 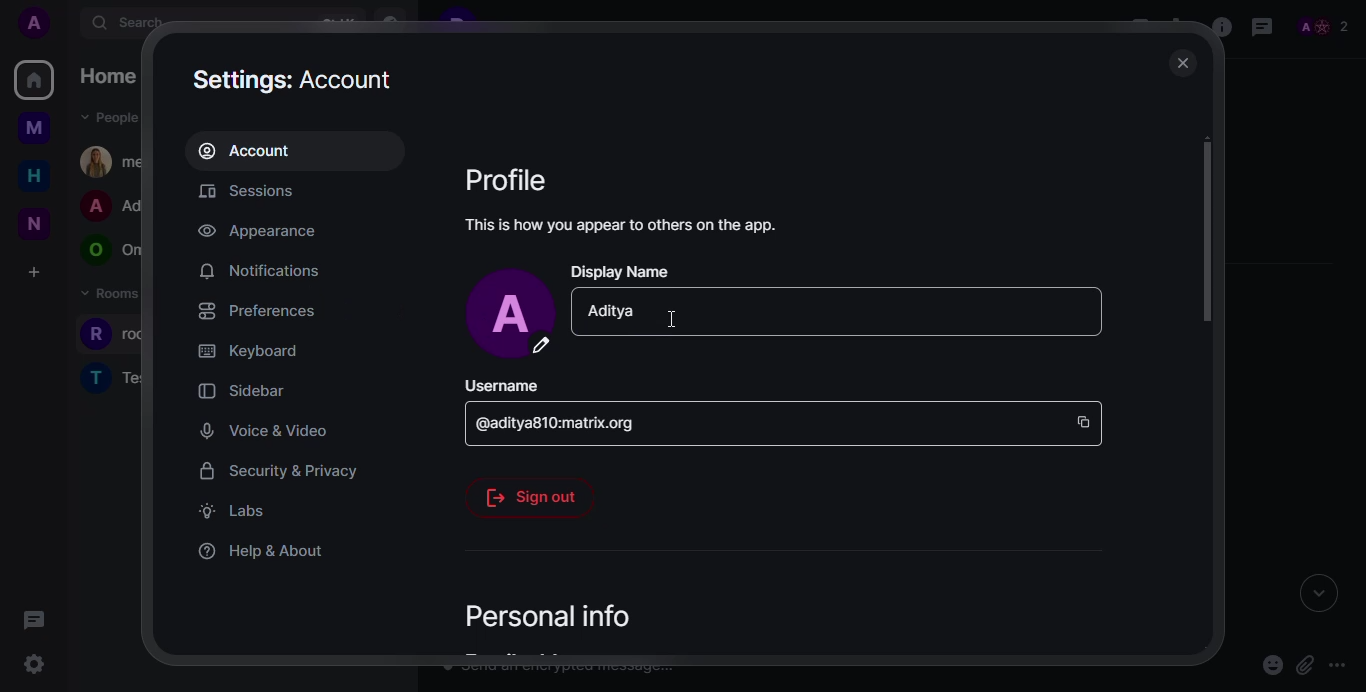 I want to click on this is how you appear to others on the app, so click(x=618, y=224).